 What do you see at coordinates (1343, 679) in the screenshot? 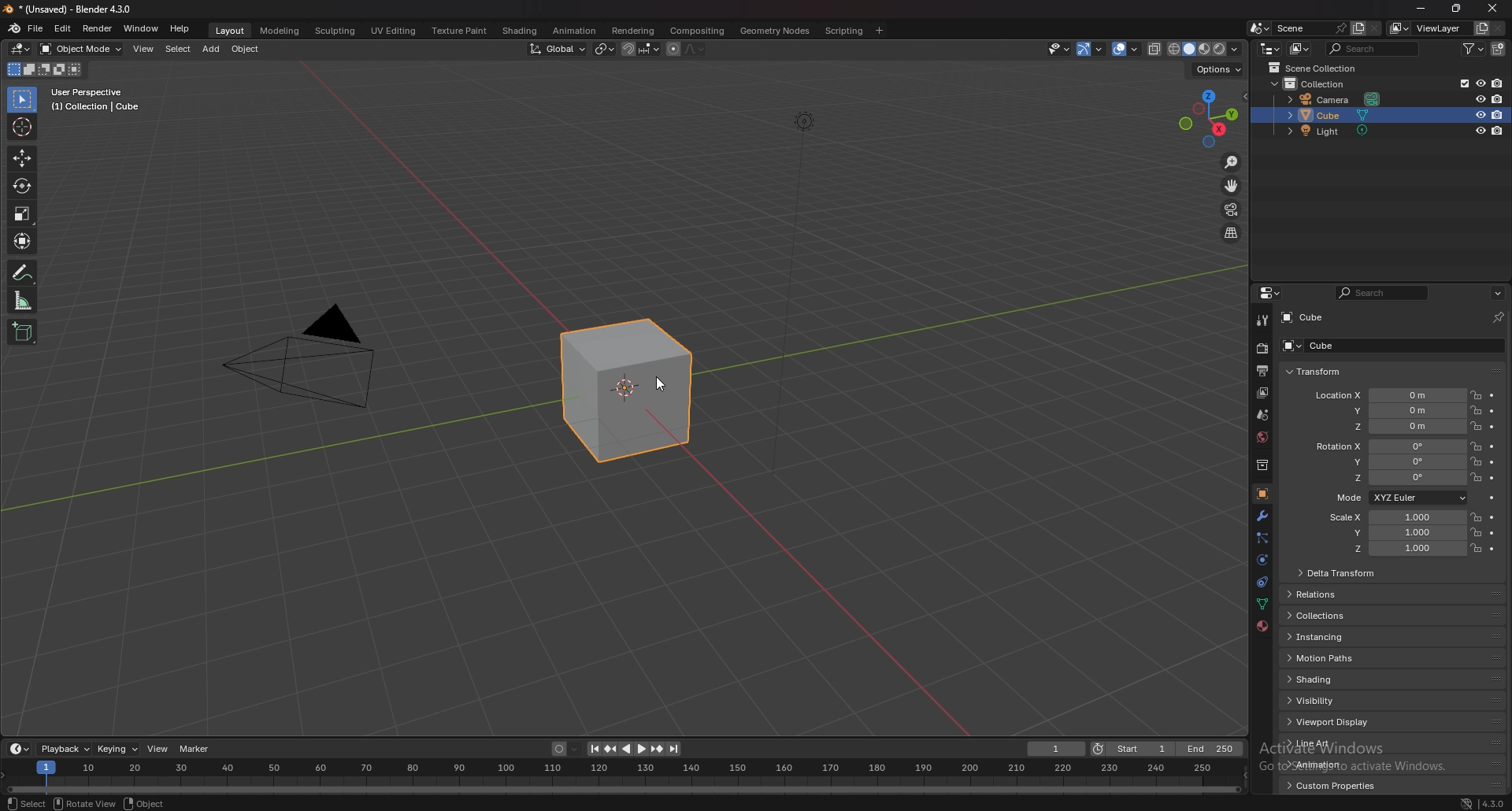
I see `shading` at bounding box center [1343, 679].